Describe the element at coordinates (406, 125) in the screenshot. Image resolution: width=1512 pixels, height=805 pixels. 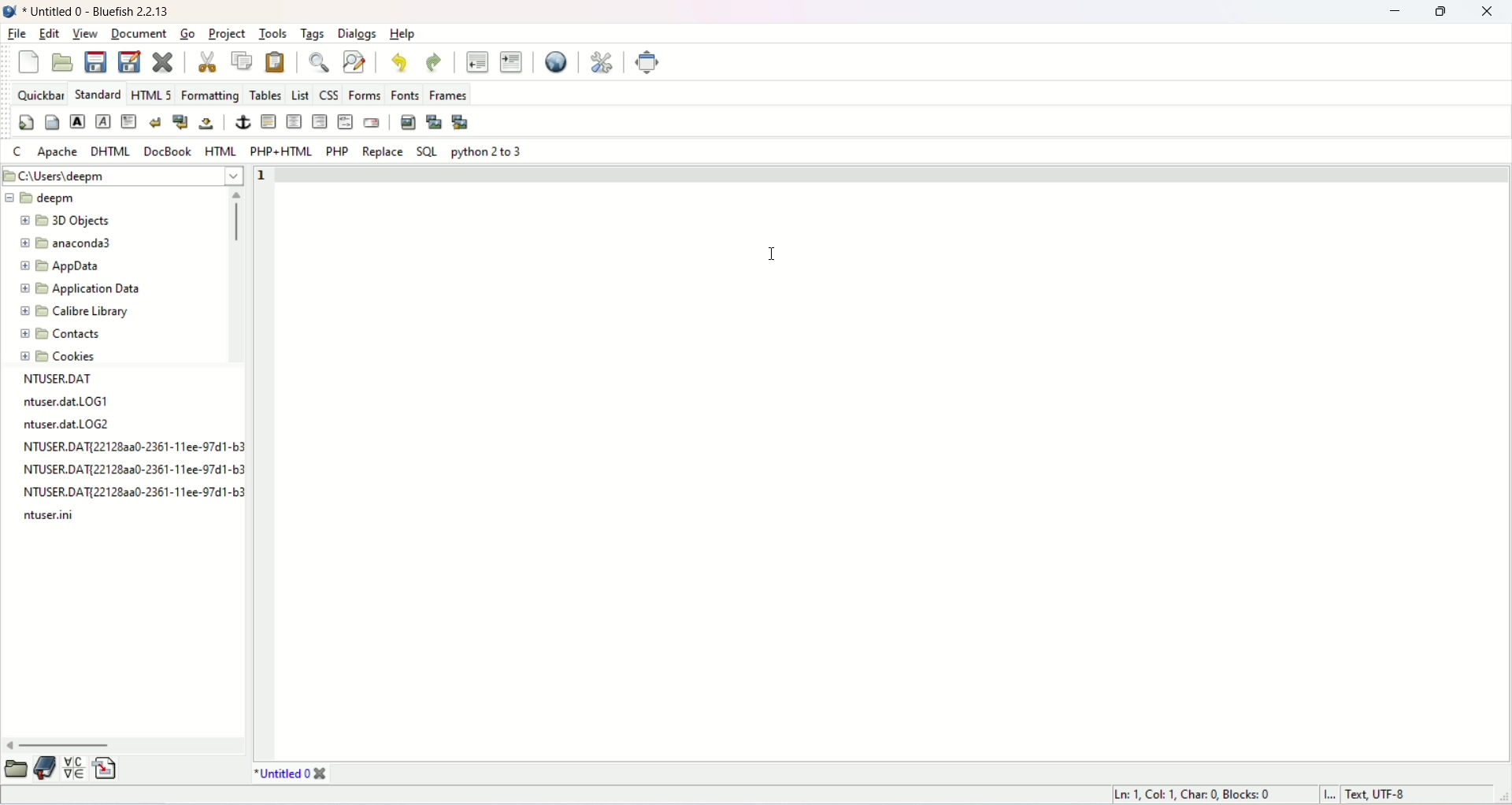
I see `insert images` at that location.